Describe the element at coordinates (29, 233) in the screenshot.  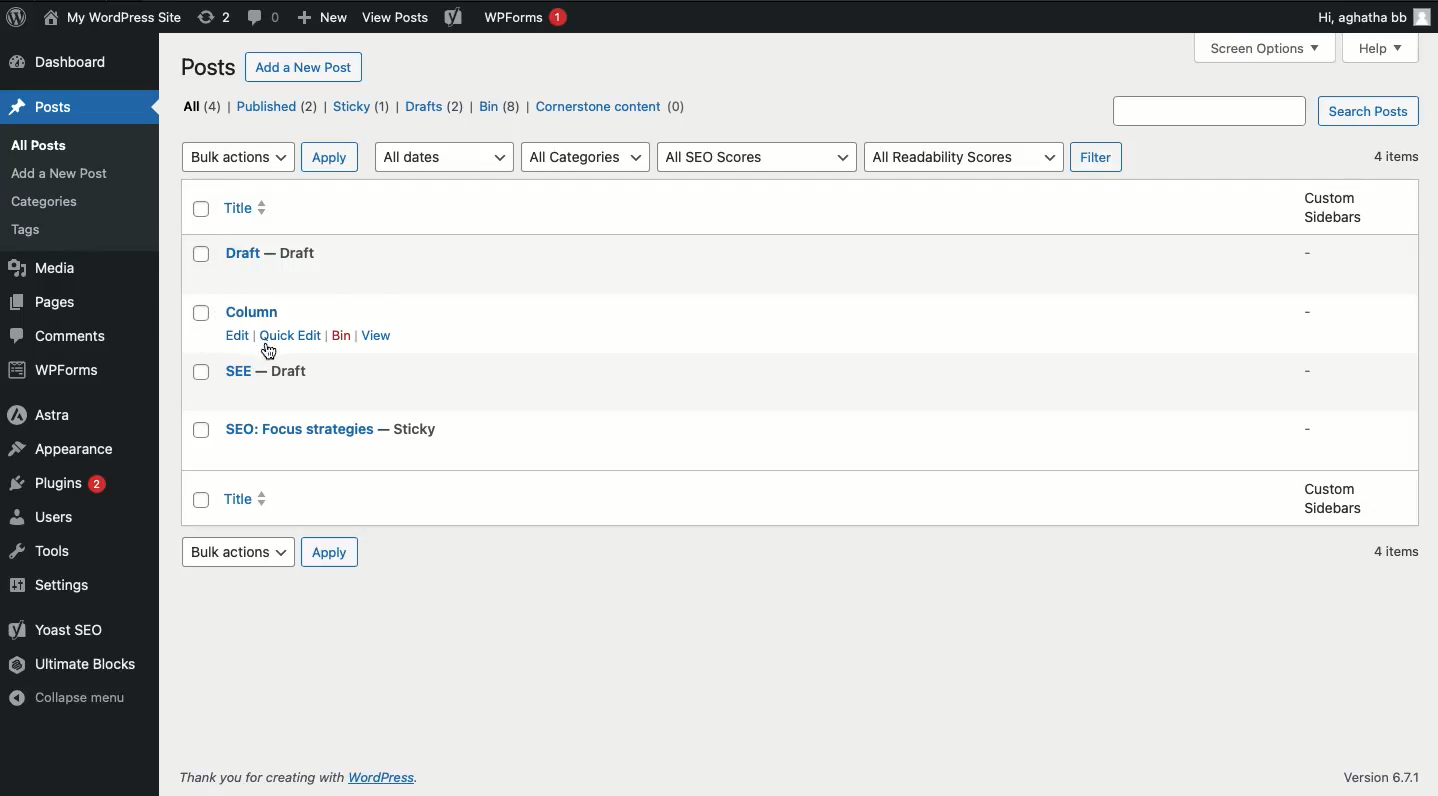
I see `` at that location.